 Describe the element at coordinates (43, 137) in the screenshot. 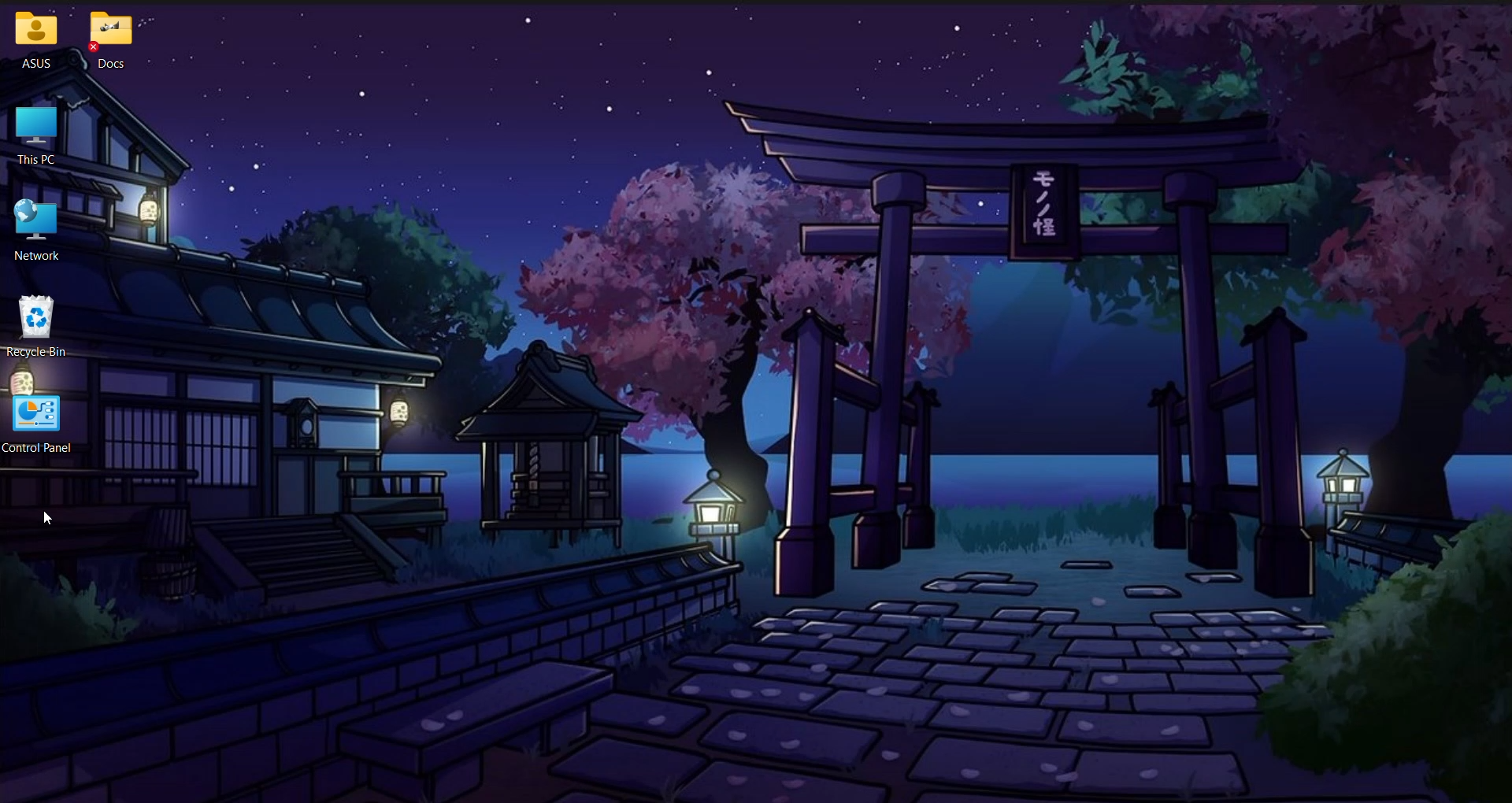

I see `This PC` at that location.